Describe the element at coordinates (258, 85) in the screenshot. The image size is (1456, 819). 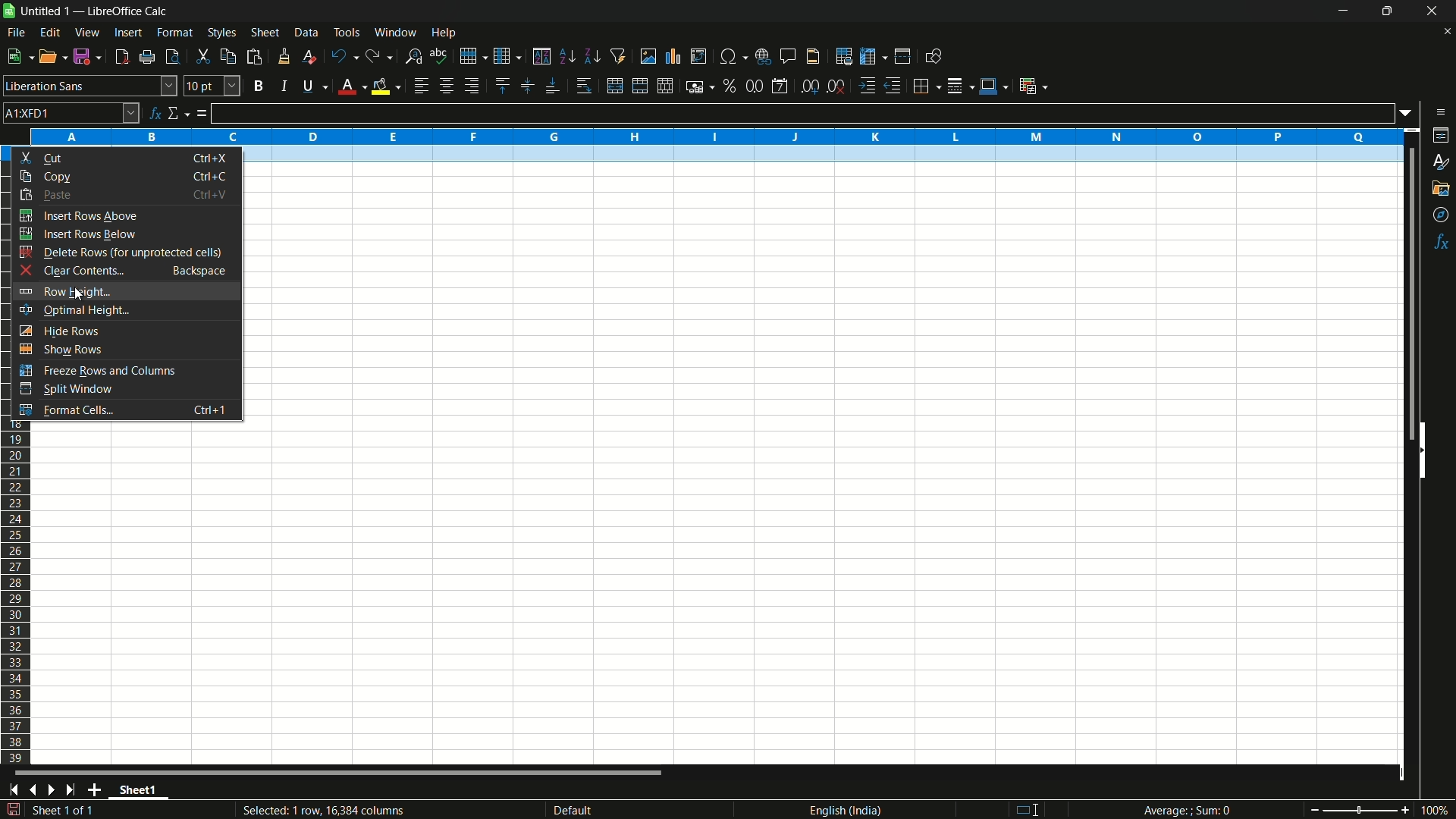
I see `bold` at that location.